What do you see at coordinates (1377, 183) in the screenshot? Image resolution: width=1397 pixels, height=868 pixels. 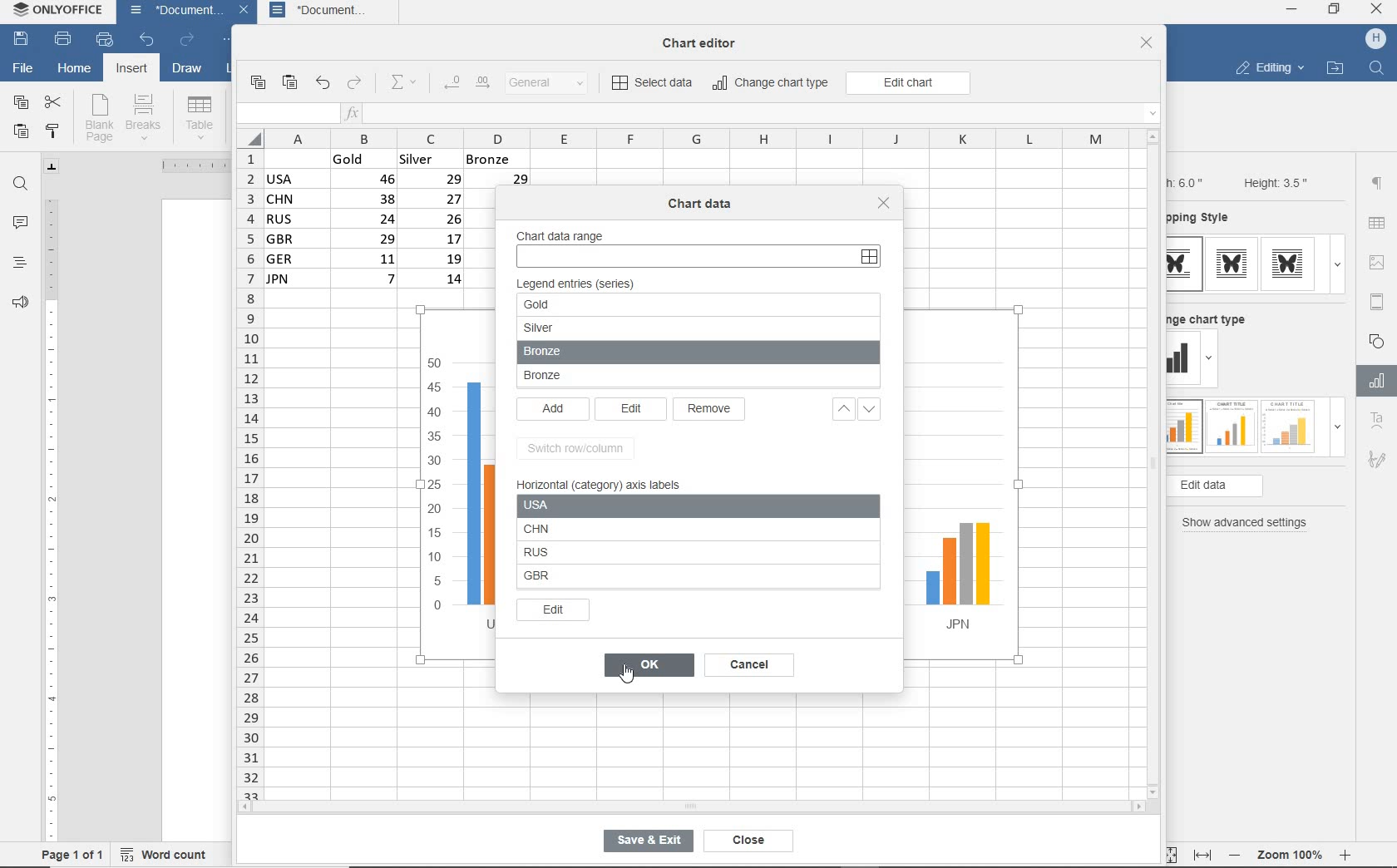 I see `paragraph settings` at bounding box center [1377, 183].